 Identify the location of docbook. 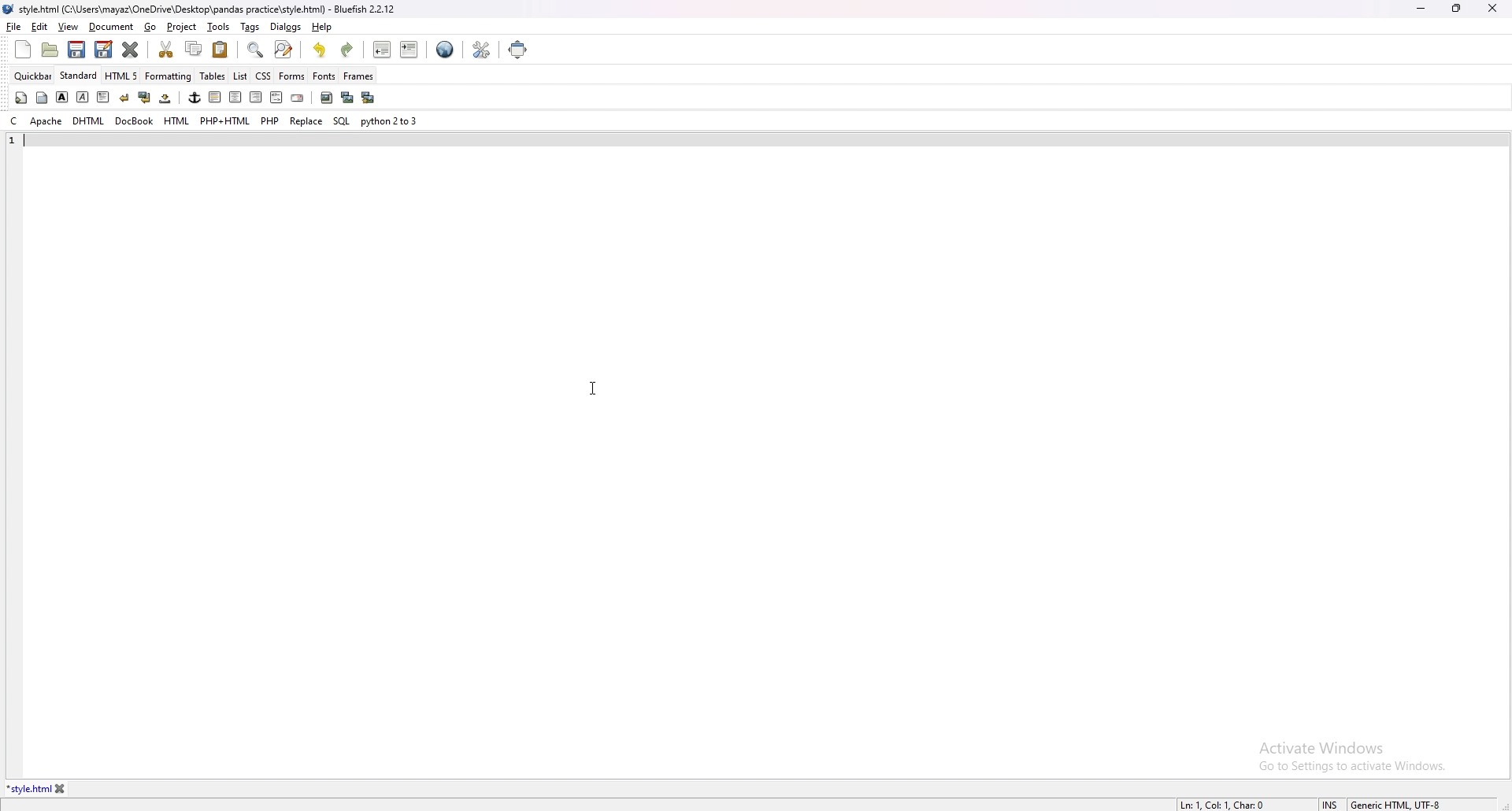
(134, 121).